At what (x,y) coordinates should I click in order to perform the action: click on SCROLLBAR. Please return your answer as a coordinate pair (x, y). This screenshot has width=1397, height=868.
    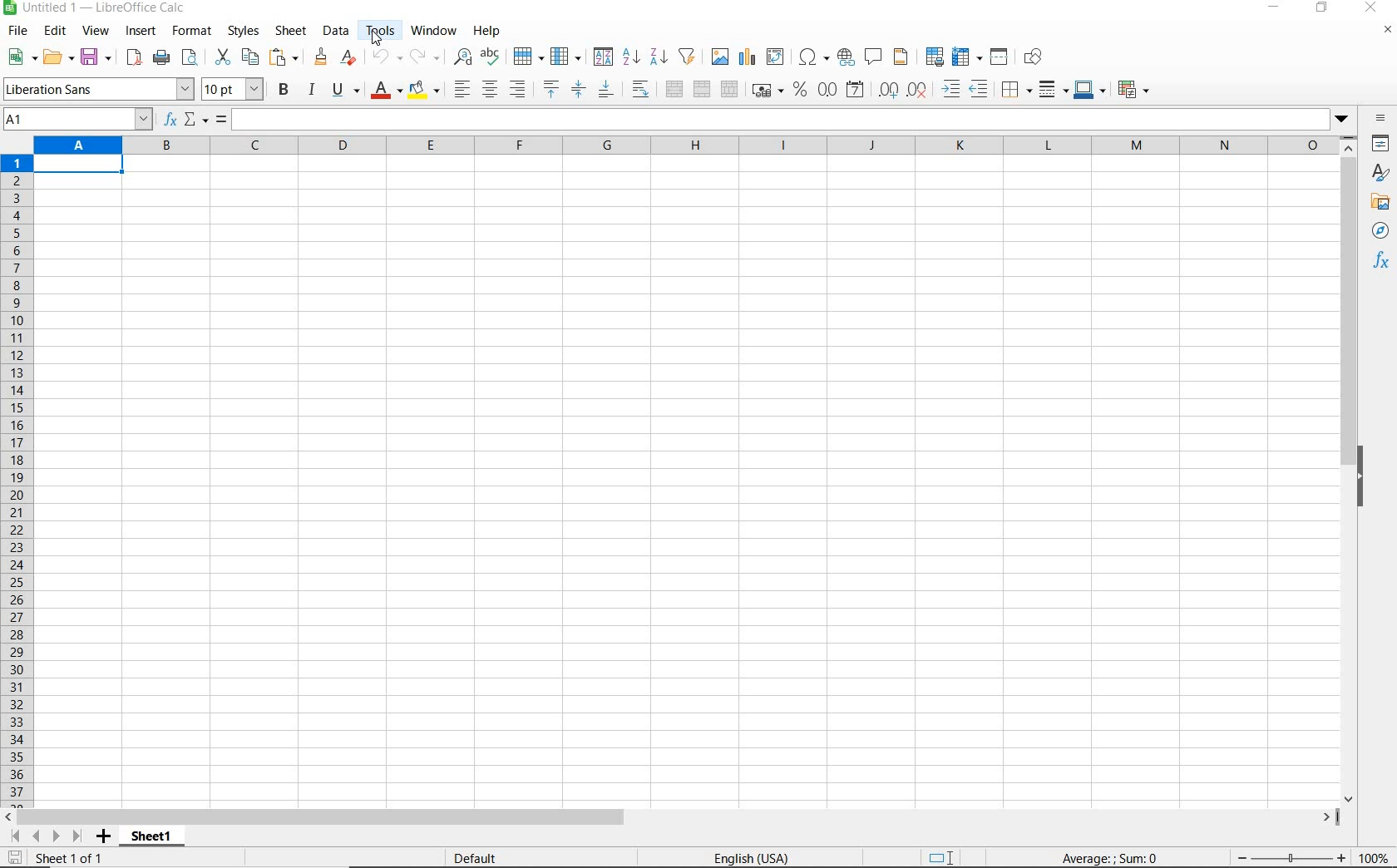
    Looking at the image, I should click on (673, 816).